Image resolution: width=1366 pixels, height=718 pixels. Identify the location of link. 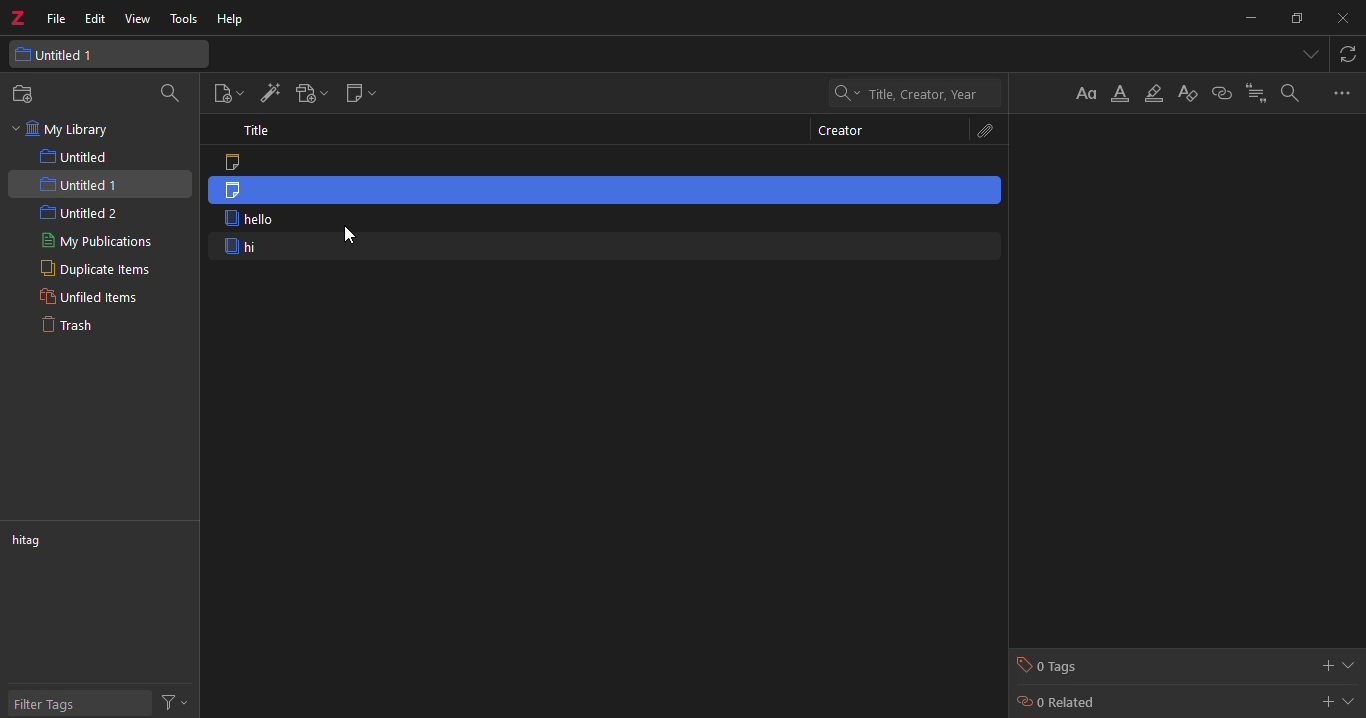
(1220, 92).